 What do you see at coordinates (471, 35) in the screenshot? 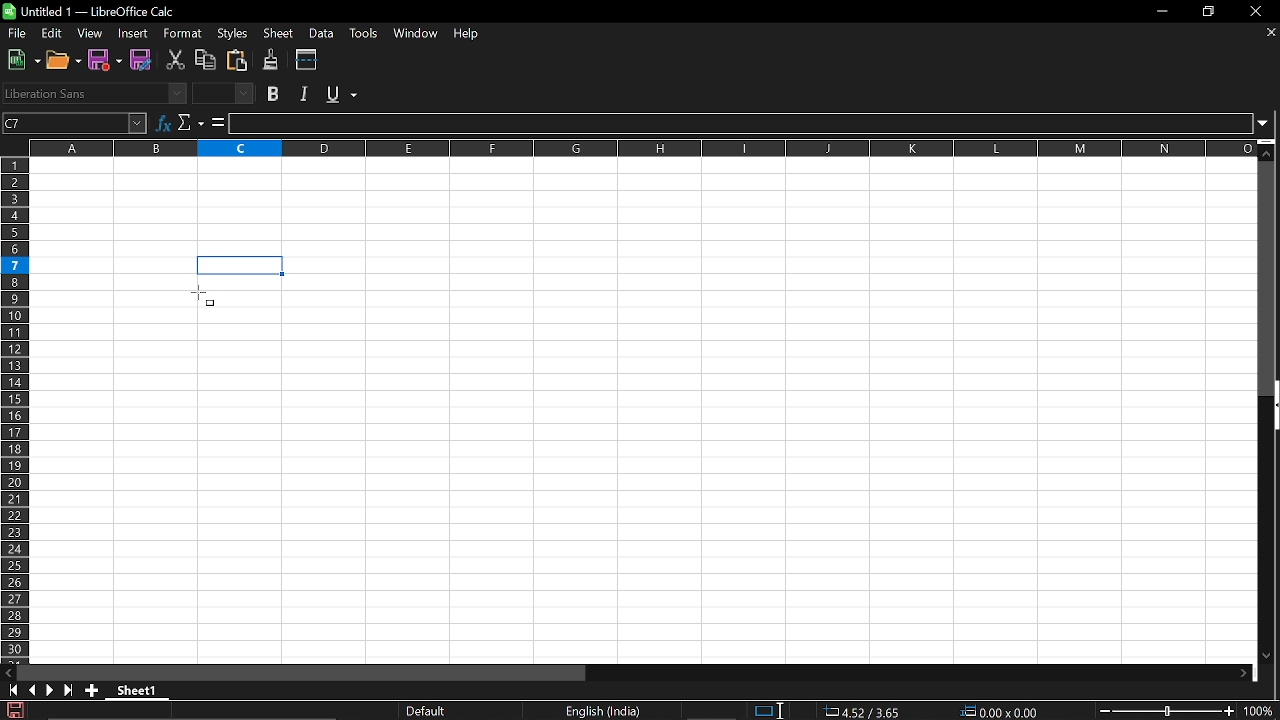
I see `HElp` at bounding box center [471, 35].